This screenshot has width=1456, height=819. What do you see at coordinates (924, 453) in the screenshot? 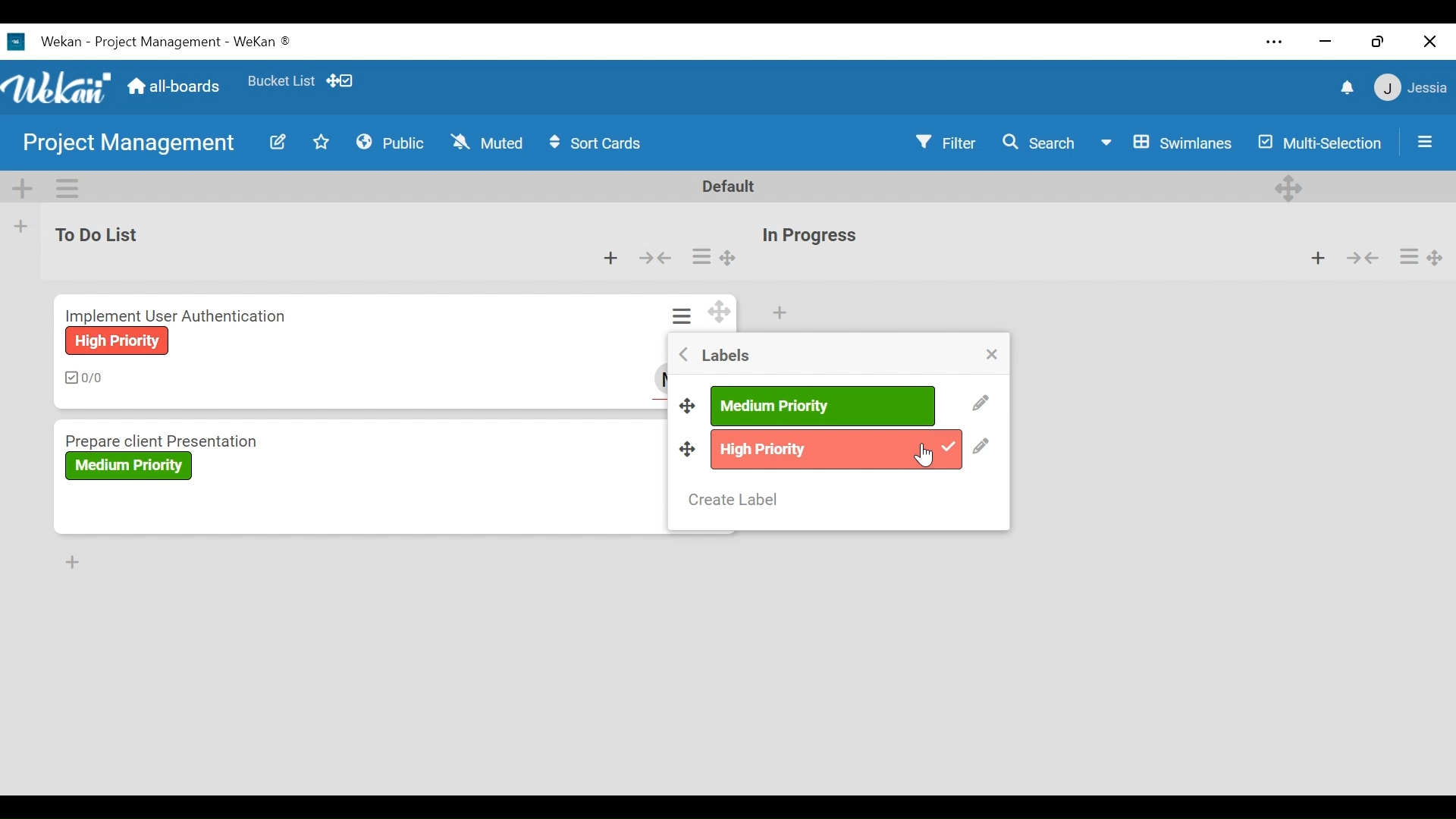
I see `cursor` at bounding box center [924, 453].